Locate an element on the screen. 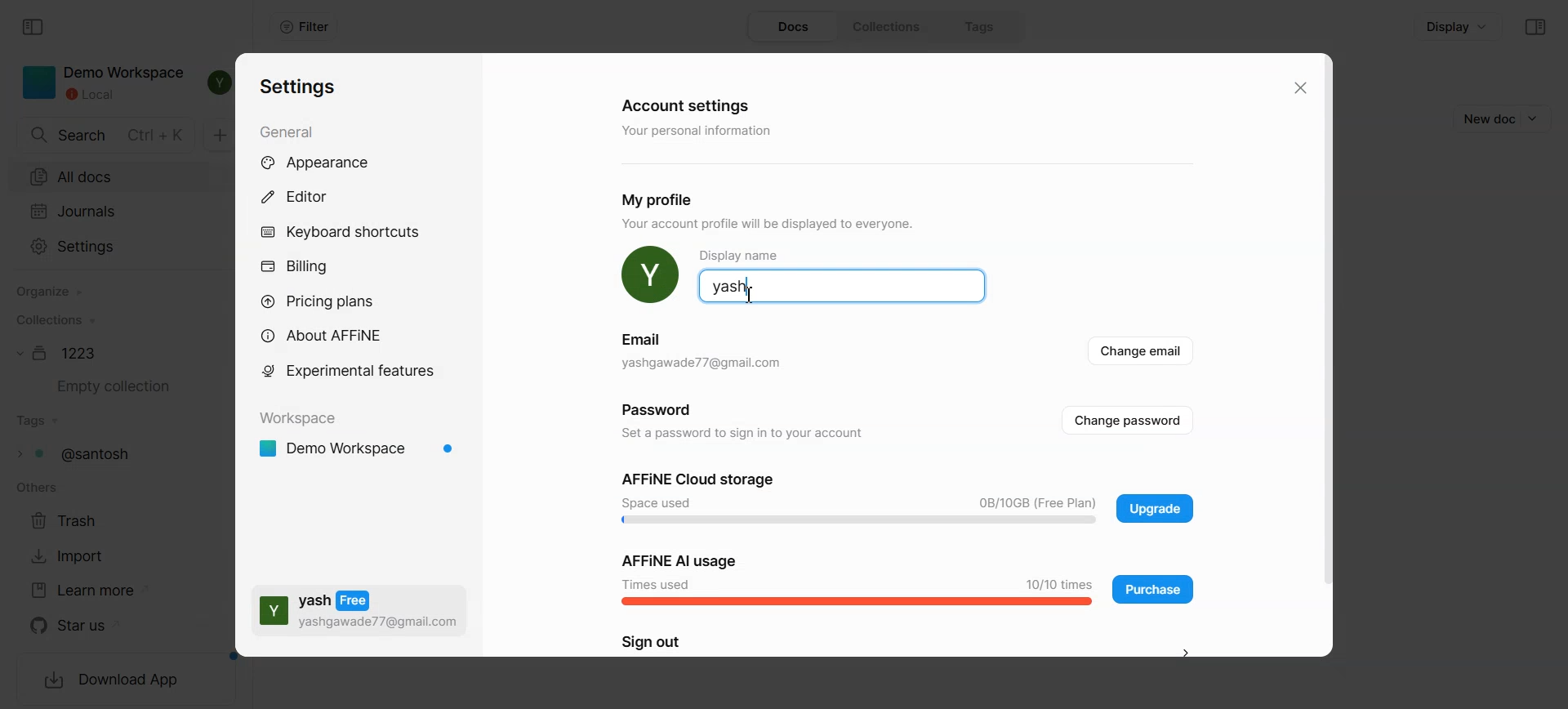 This screenshot has height=709, width=1568. Close is located at coordinates (1298, 88).